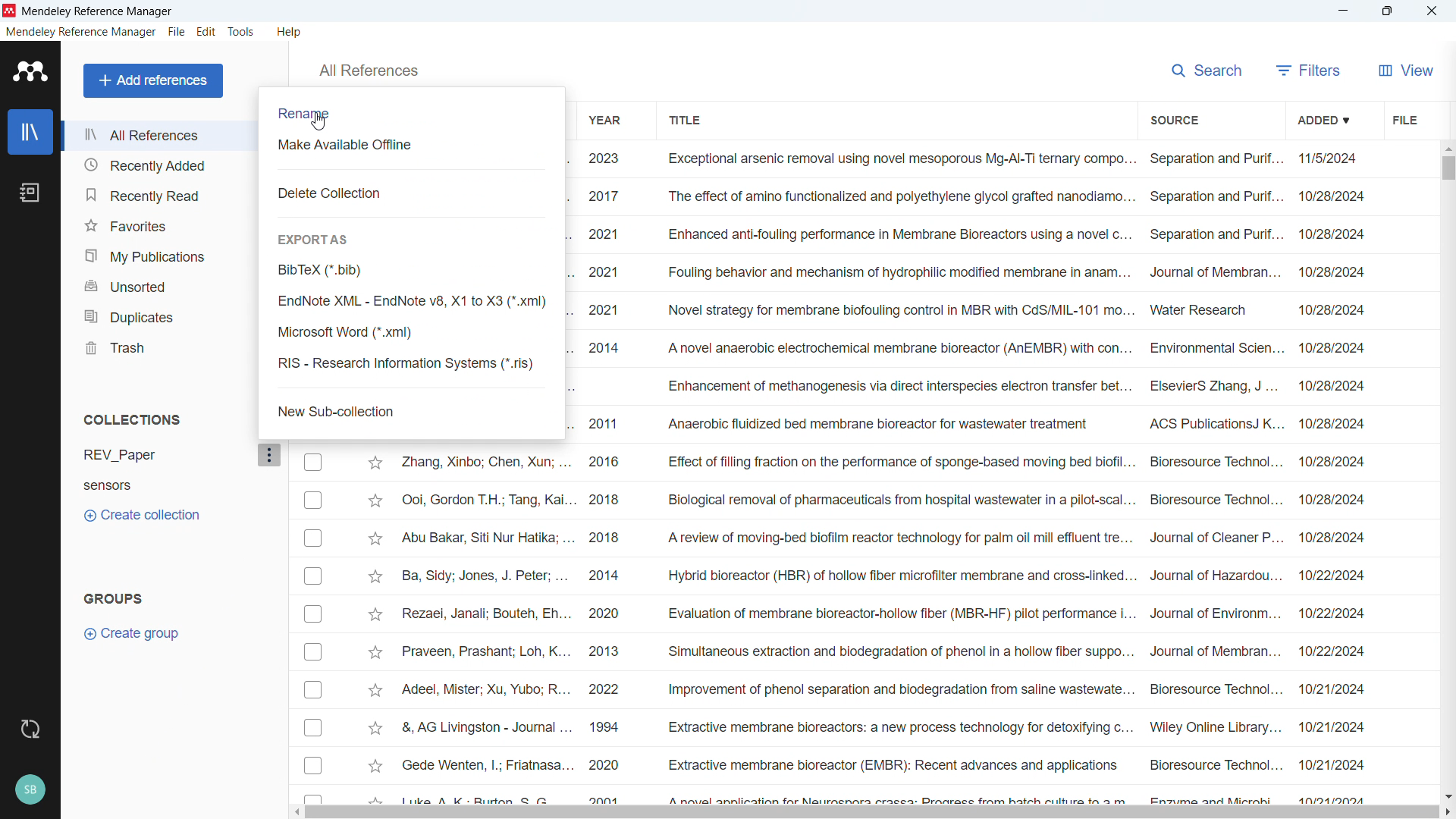 Image resolution: width=1456 pixels, height=819 pixels. Describe the element at coordinates (882, 689) in the screenshot. I see `Adeel, Mister; Xu, Yubo; R... 2022 Improvement of phenol separation and biodegradation from saline wastewate... Bioresource Technol... 10/21/2024` at that location.